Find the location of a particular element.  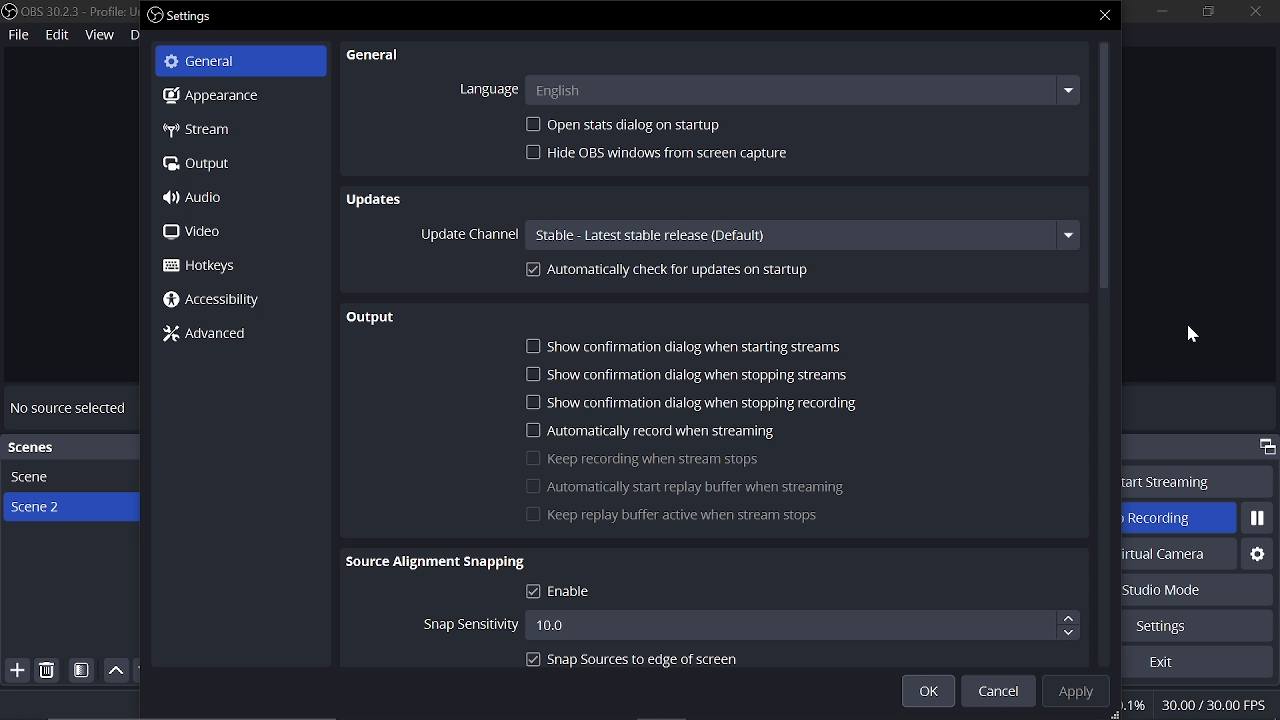

English is located at coordinates (802, 90).